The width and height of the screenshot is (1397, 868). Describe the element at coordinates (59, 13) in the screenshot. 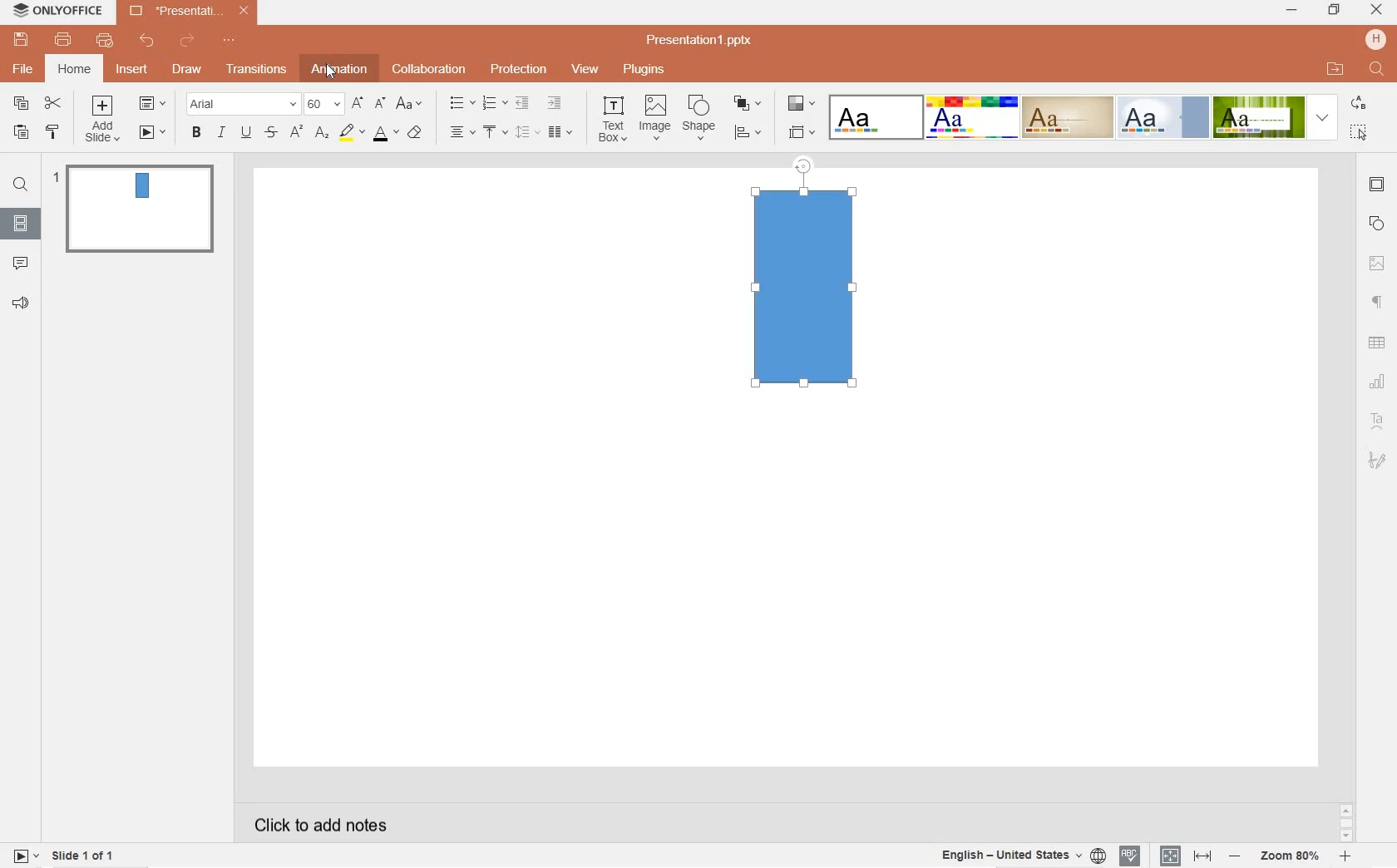

I see `ONLYOFFICE` at that location.